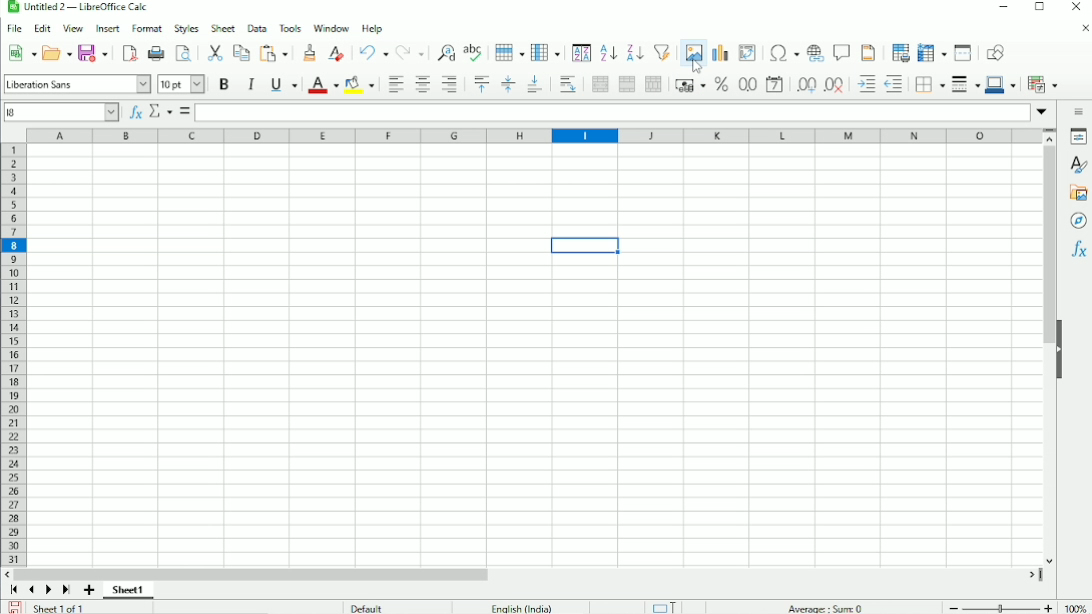 This screenshot has width=1092, height=614. What do you see at coordinates (480, 84) in the screenshot?
I see `Align top` at bounding box center [480, 84].